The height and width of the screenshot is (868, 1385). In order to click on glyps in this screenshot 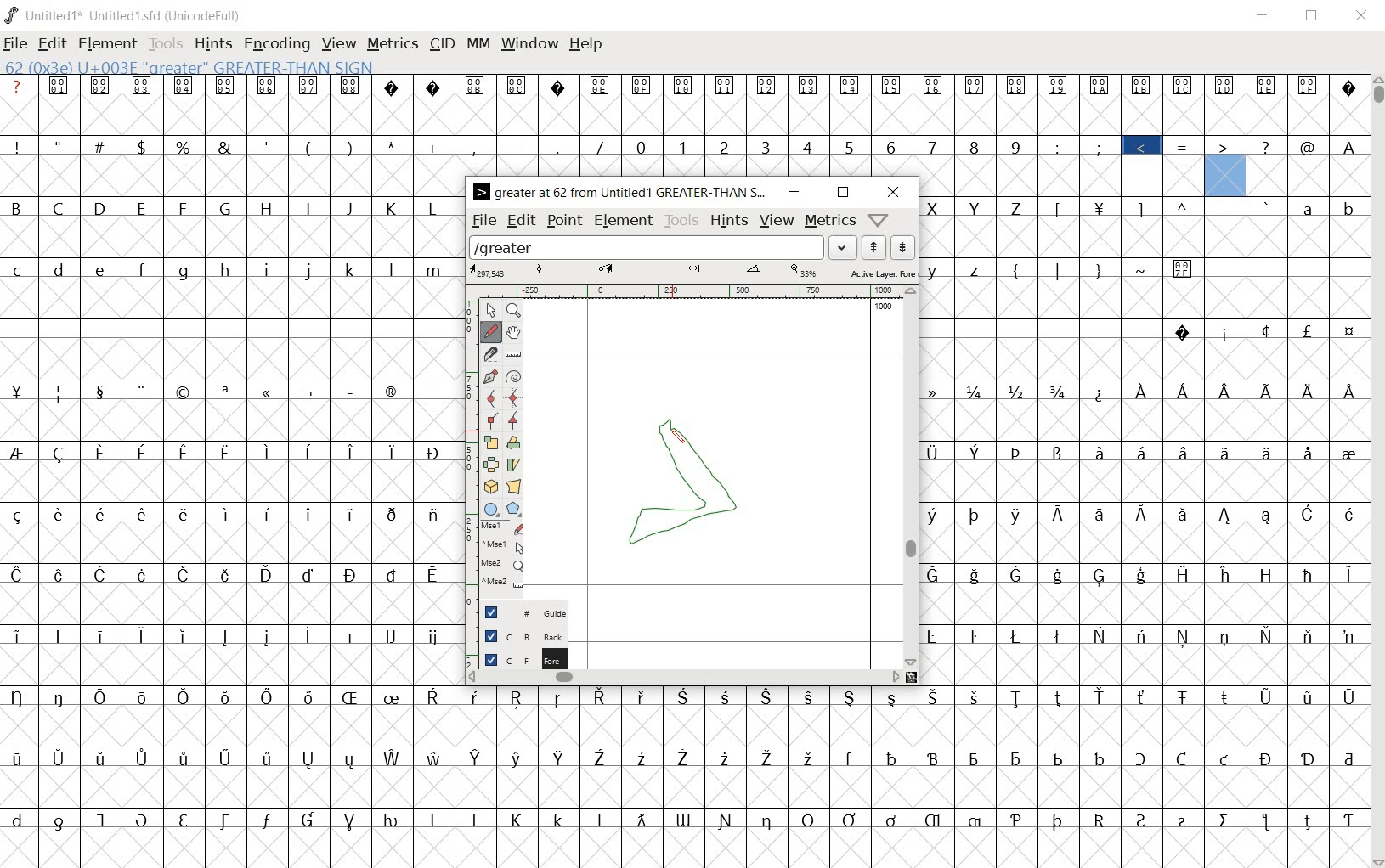, I will do `click(1212, 105)`.